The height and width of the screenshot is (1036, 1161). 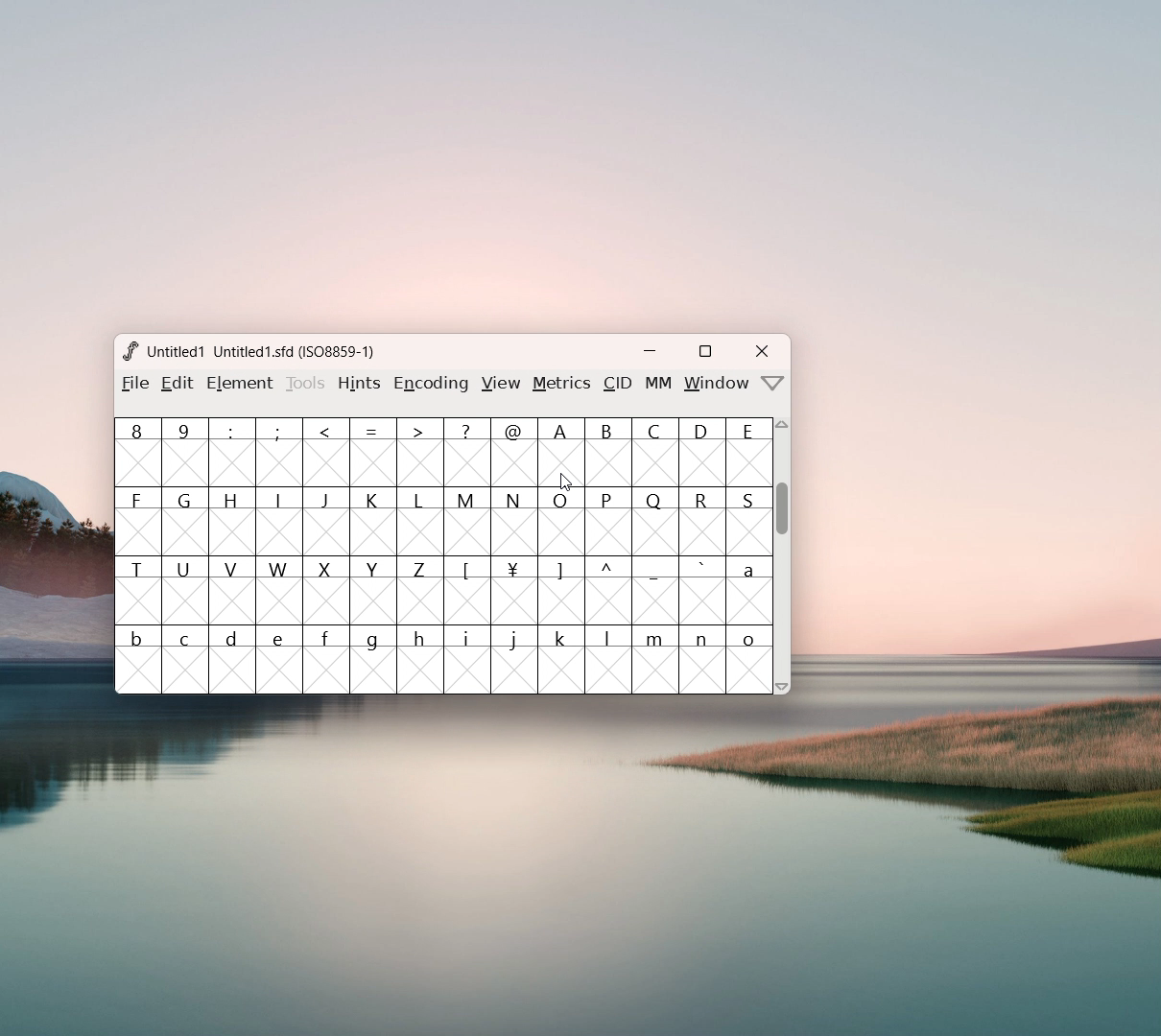 What do you see at coordinates (656, 521) in the screenshot?
I see `Q` at bounding box center [656, 521].